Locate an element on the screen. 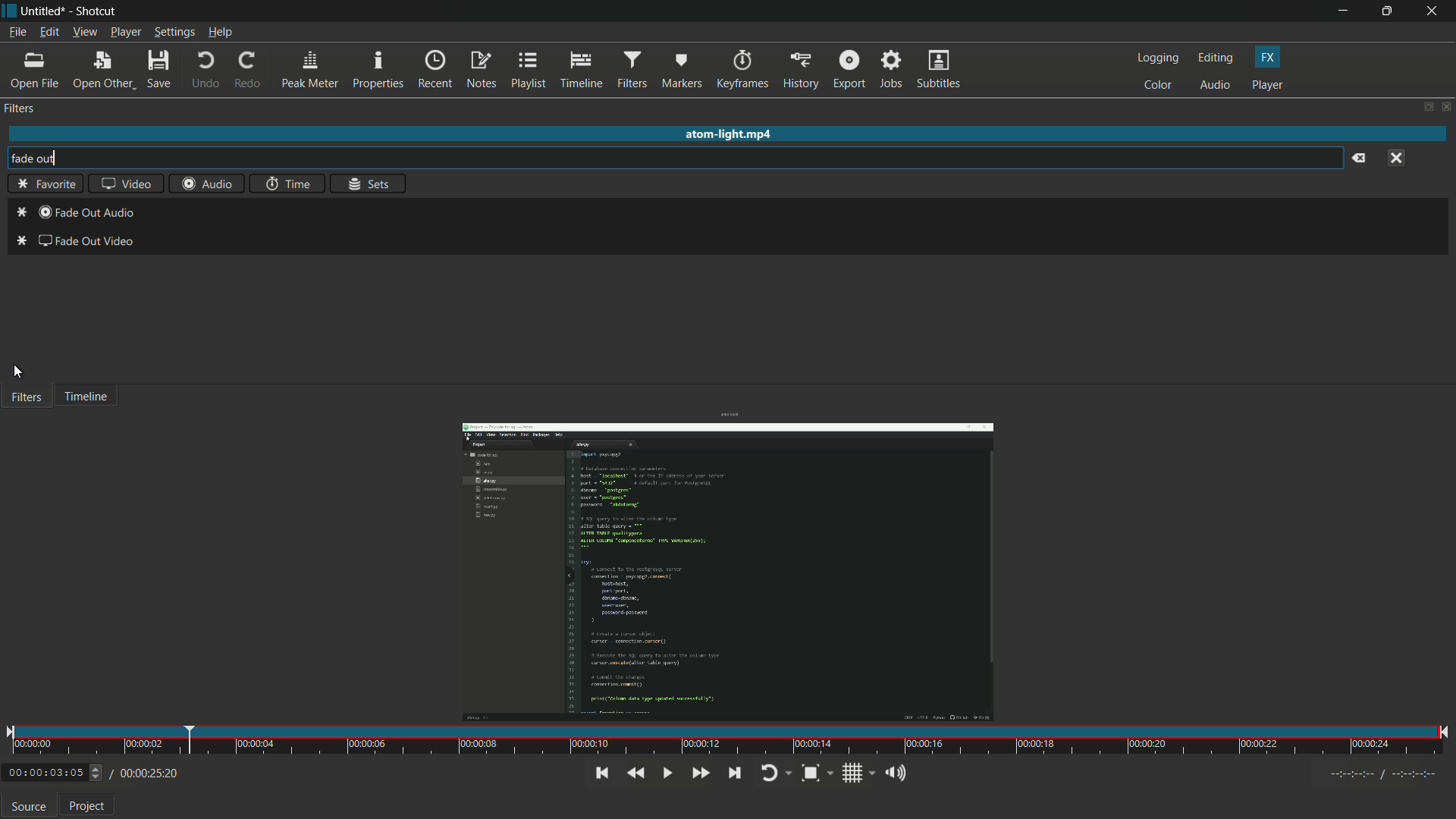  peak meter is located at coordinates (310, 70).